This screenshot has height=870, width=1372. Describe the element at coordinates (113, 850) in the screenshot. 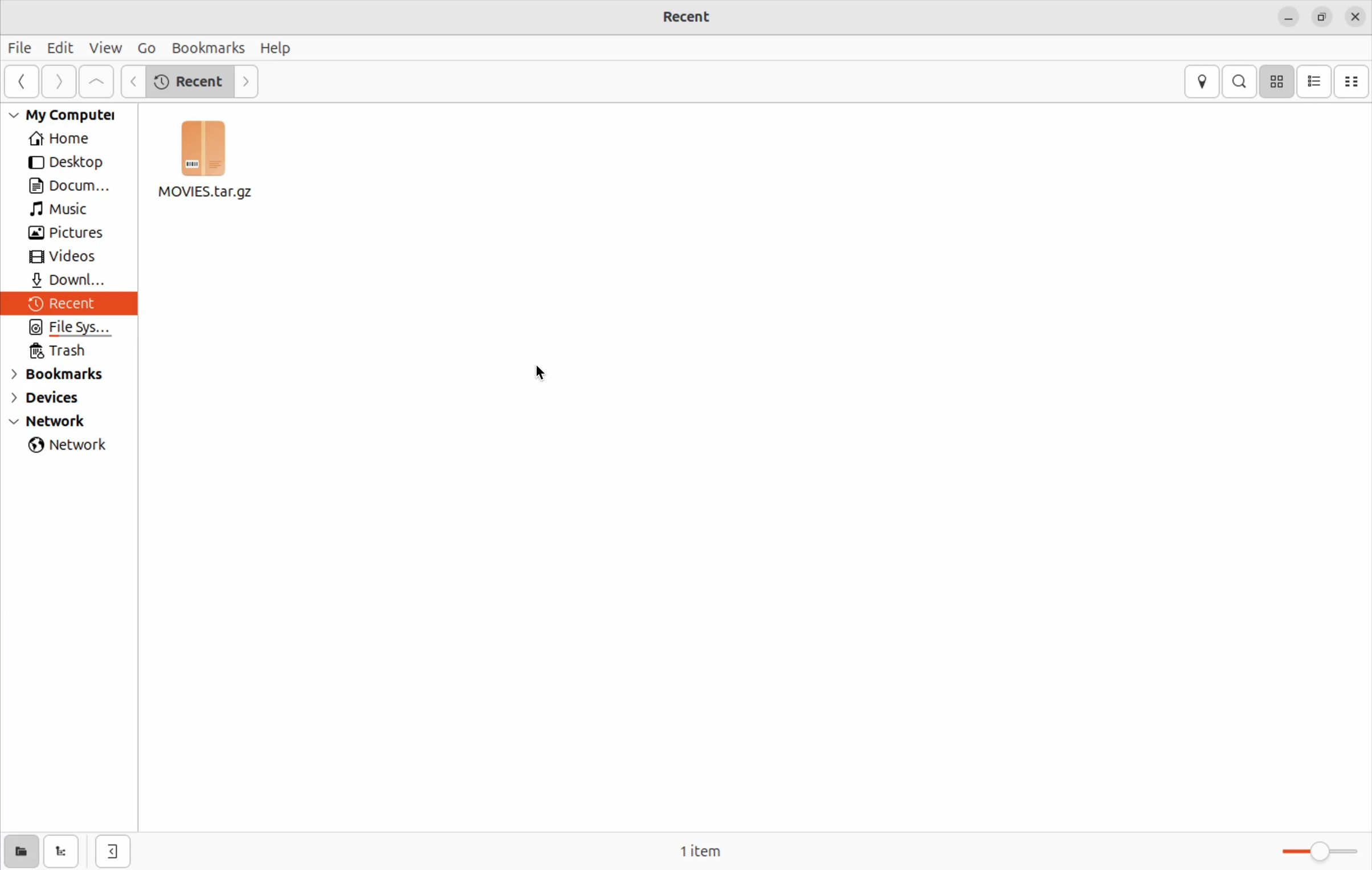

I see `close side bar` at that location.